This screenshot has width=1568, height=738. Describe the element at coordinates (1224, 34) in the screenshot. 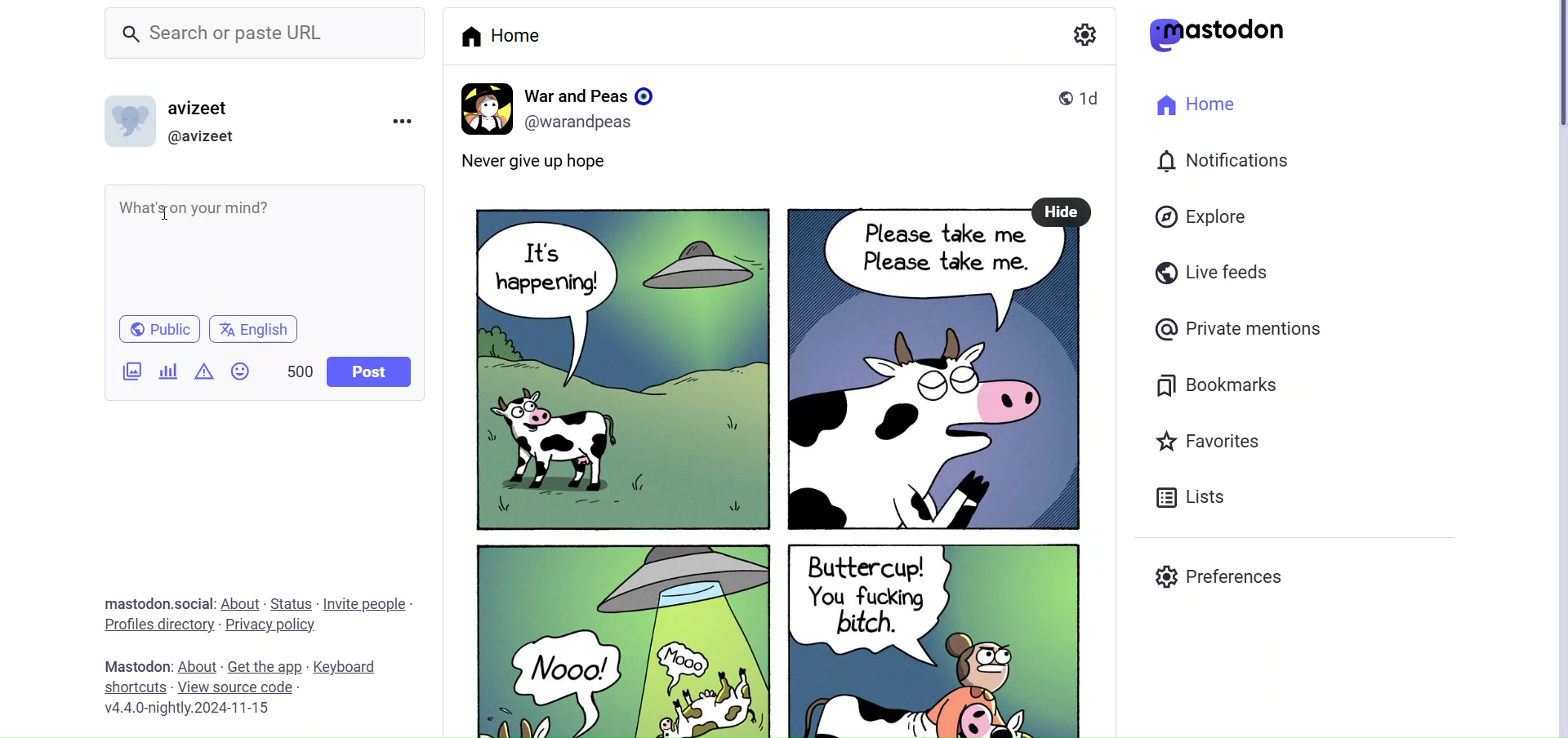

I see `mastodon` at that location.